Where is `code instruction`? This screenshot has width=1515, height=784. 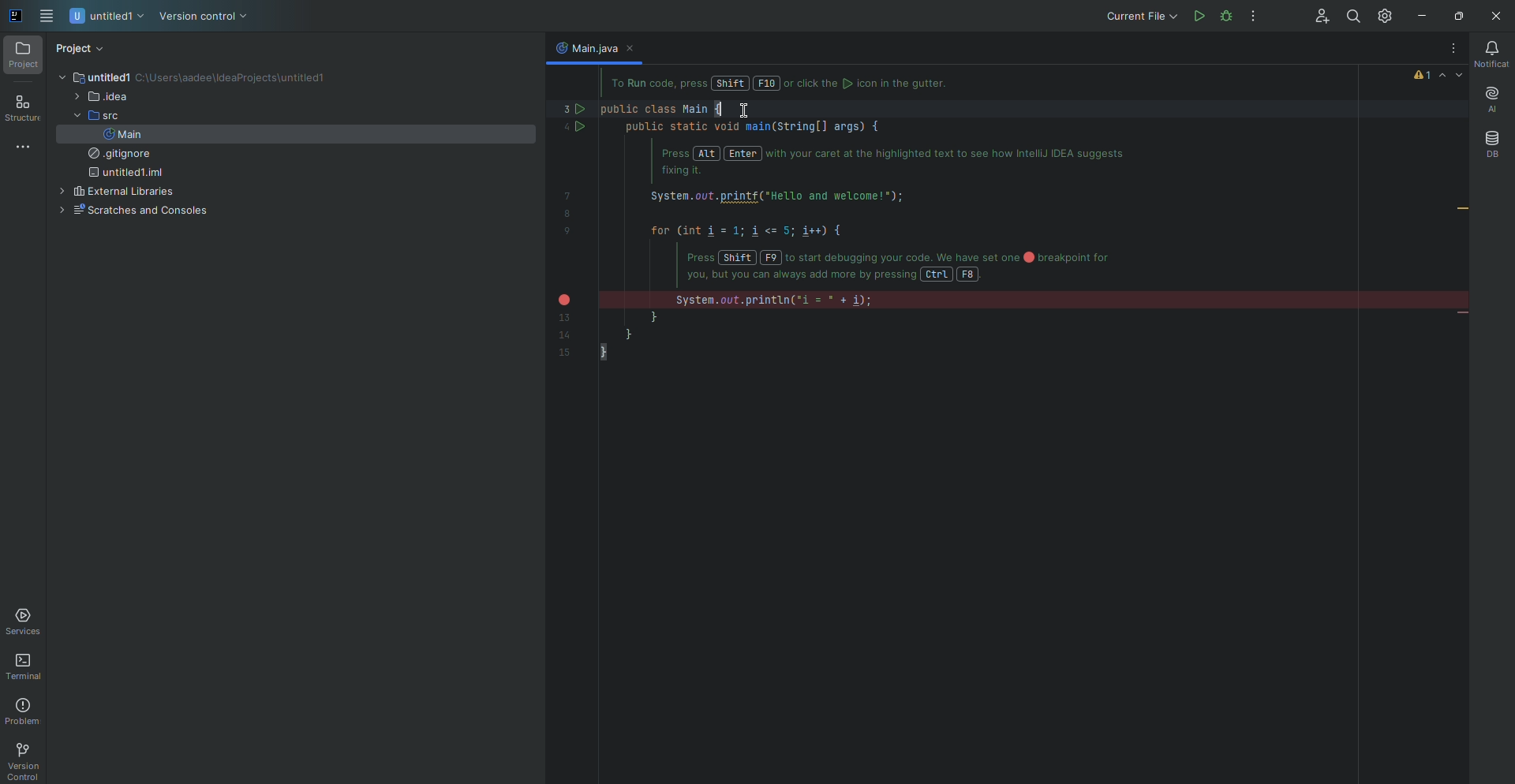
code instruction is located at coordinates (791, 84).